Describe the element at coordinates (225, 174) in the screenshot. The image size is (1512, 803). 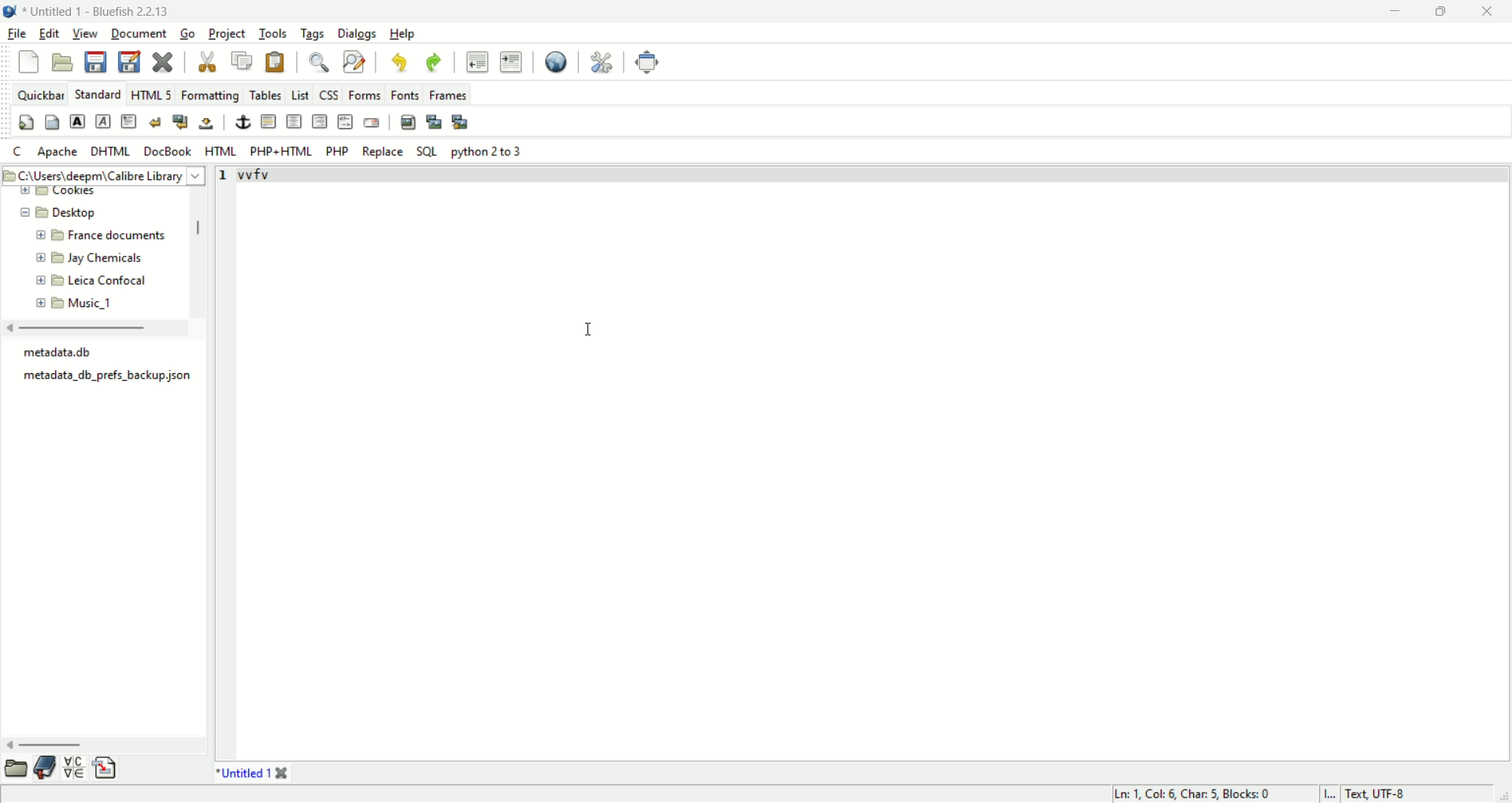
I see `line number` at that location.